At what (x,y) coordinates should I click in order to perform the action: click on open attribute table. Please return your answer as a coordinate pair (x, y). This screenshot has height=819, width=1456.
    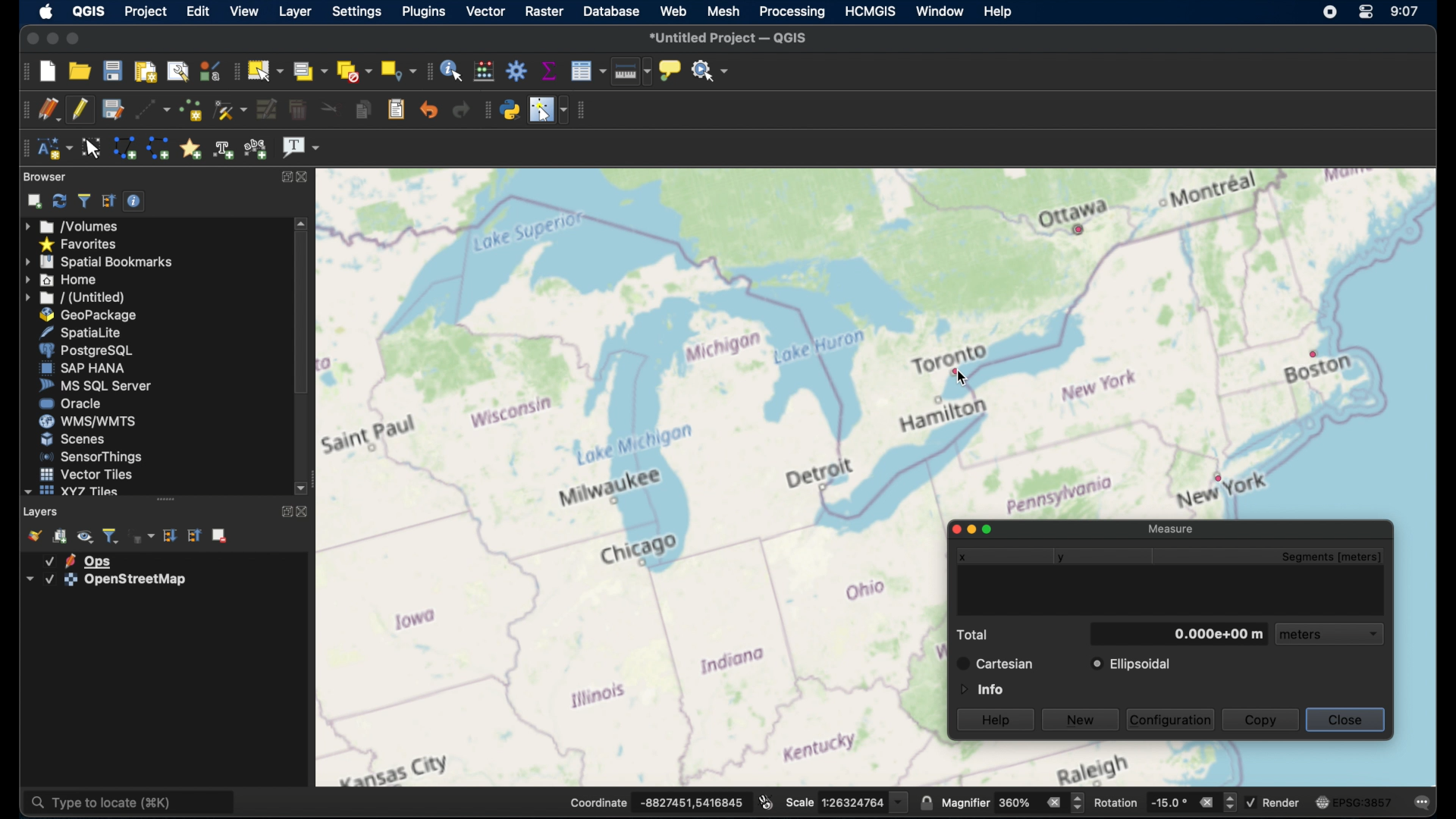
    Looking at the image, I should click on (588, 72).